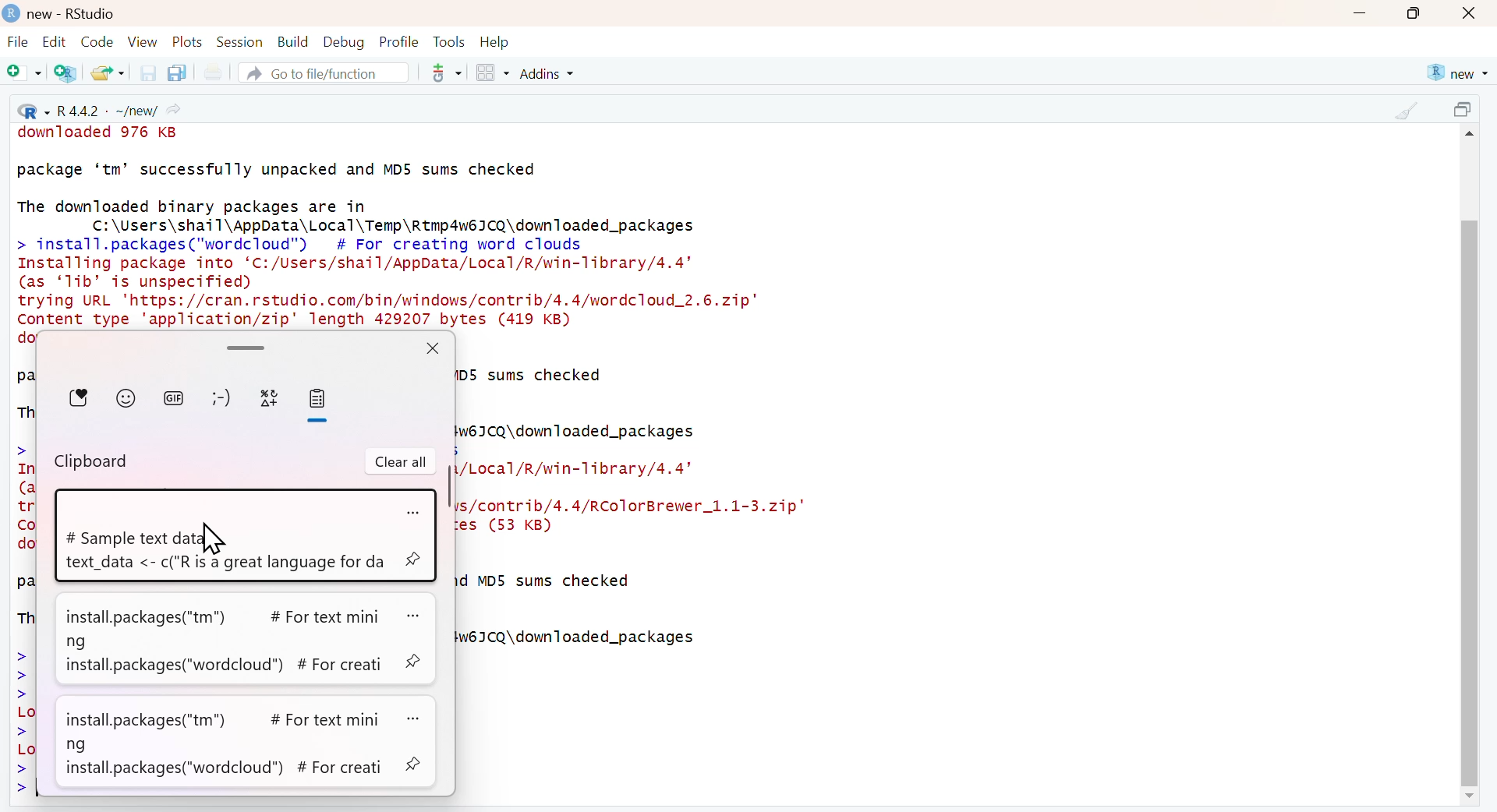 The width and height of the screenshot is (1497, 812). What do you see at coordinates (415, 768) in the screenshot?
I see `pin` at bounding box center [415, 768].